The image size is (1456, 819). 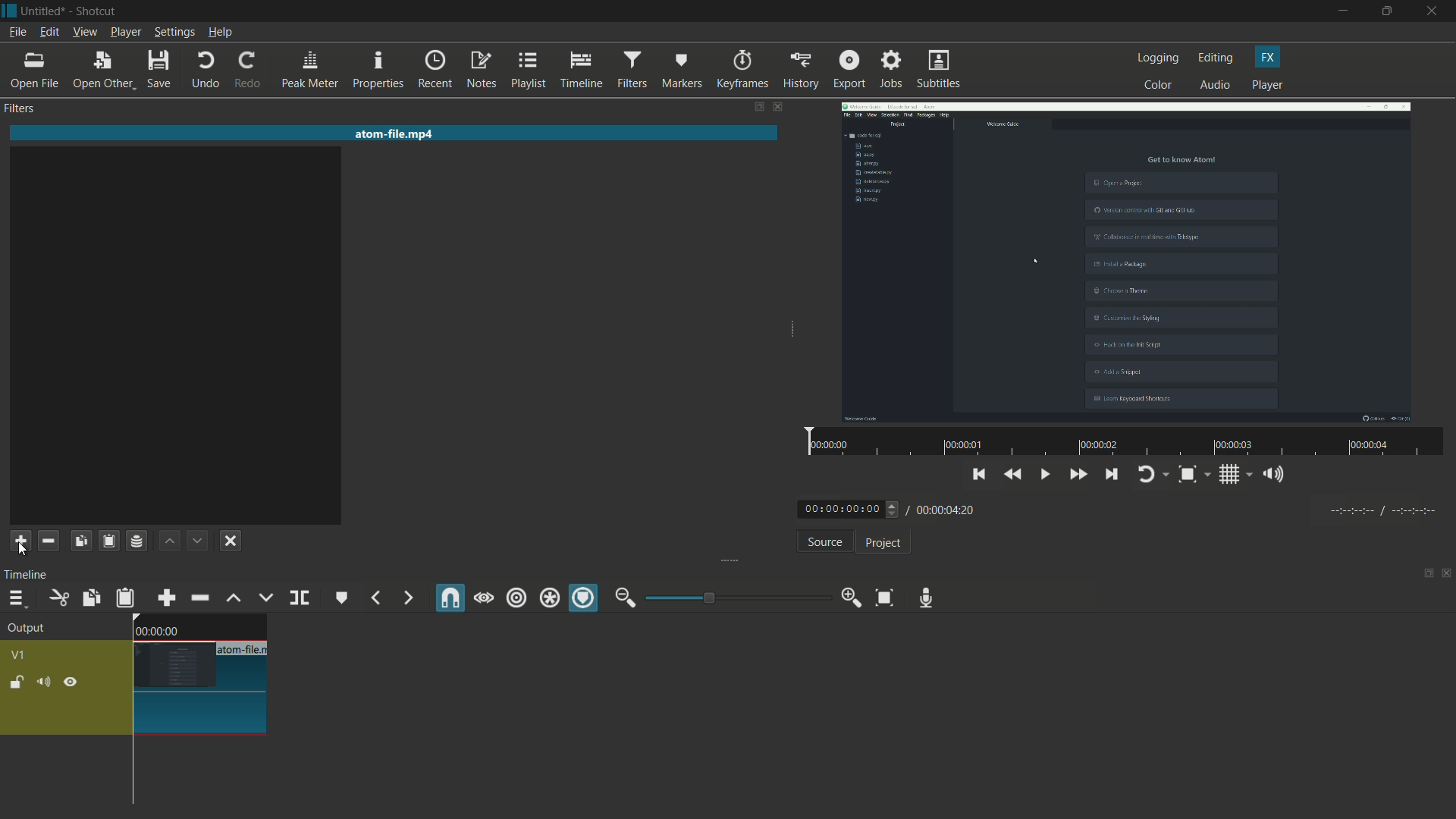 I want to click on redo, so click(x=246, y=70).